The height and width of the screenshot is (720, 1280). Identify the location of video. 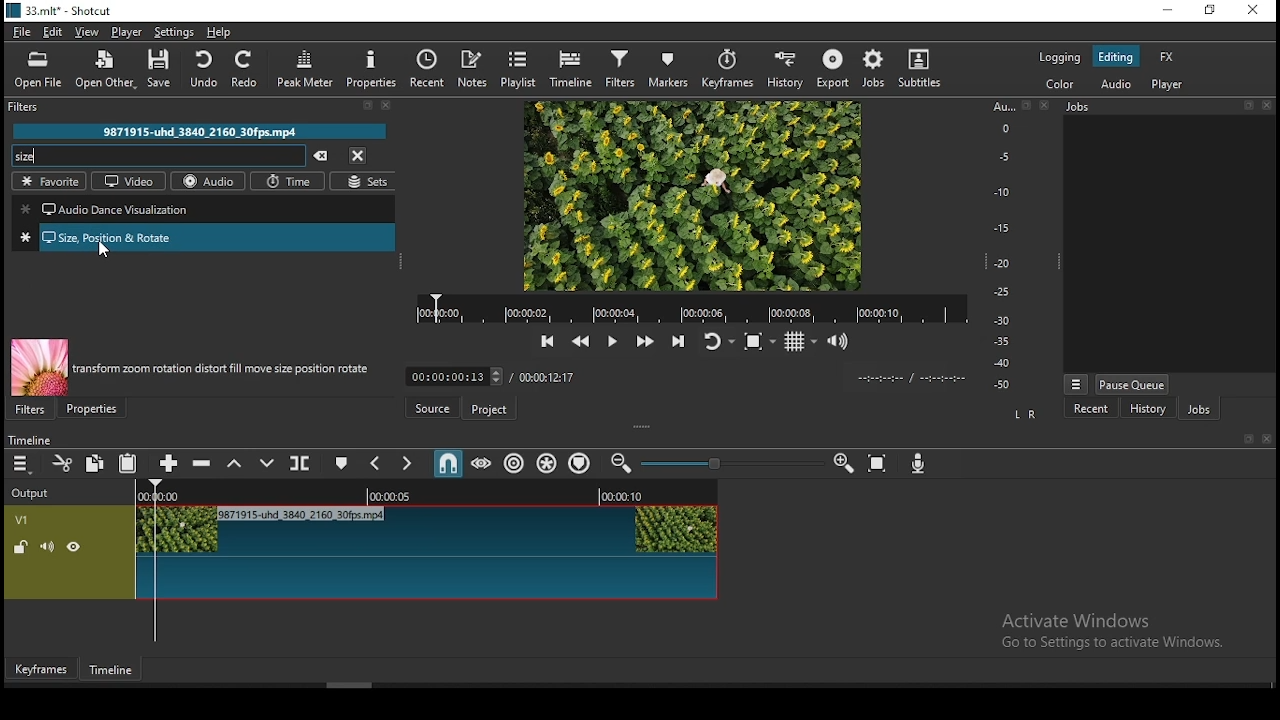
(130, 181).